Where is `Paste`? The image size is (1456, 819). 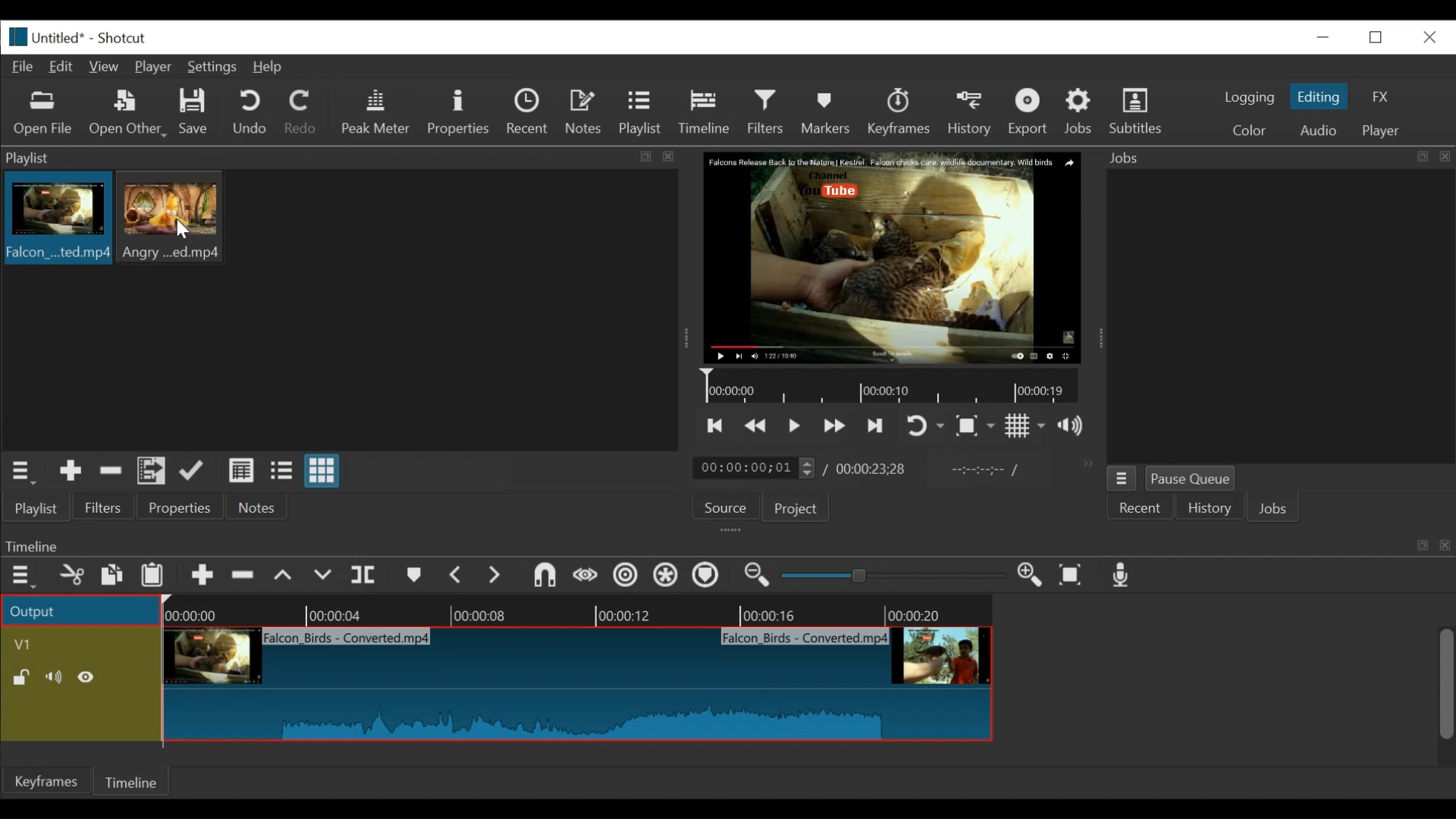
Paste is located at coordinates (158, 577).